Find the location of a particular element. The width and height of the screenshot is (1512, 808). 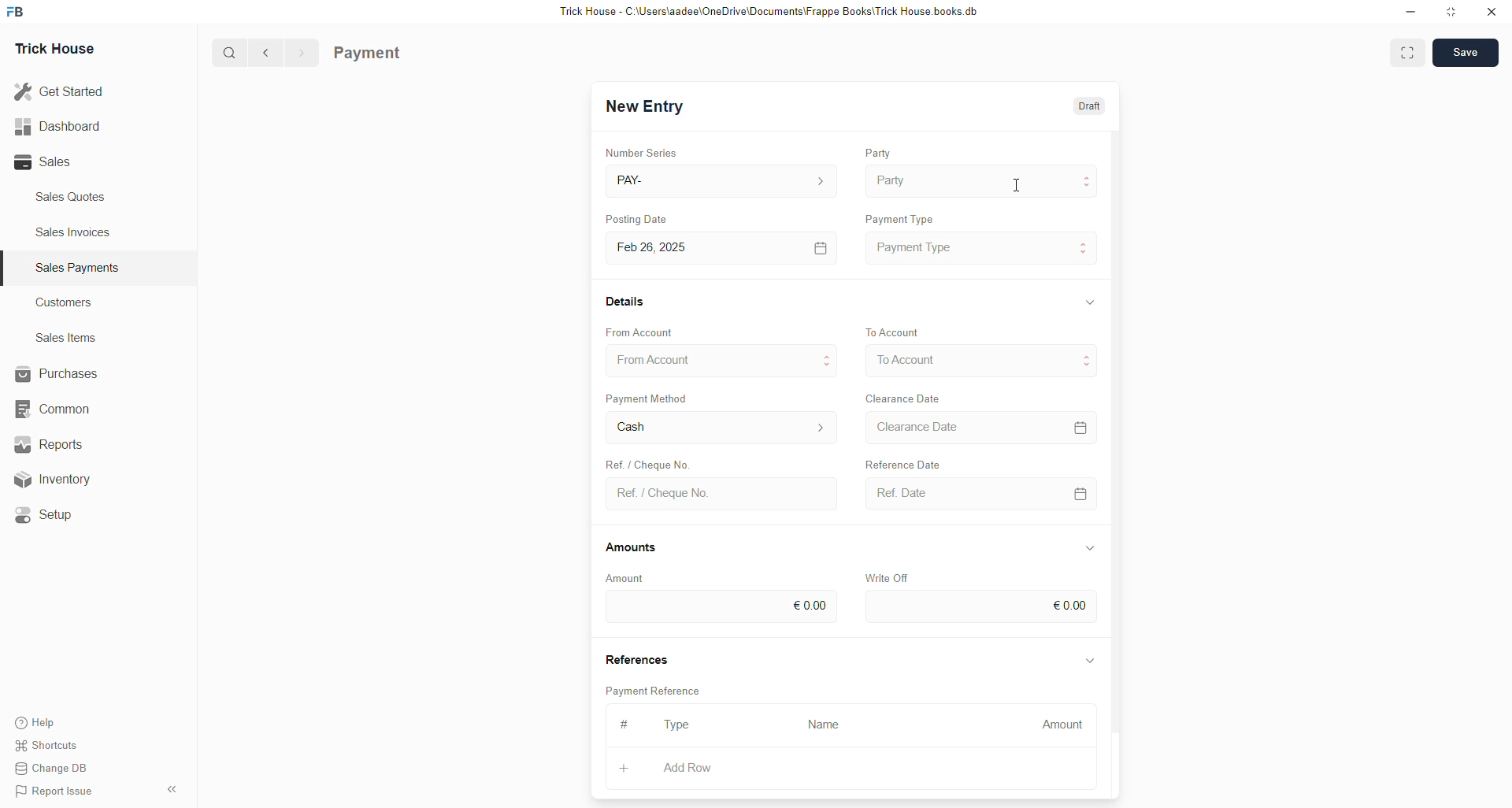

From Account is located at coordinates (723, 360).